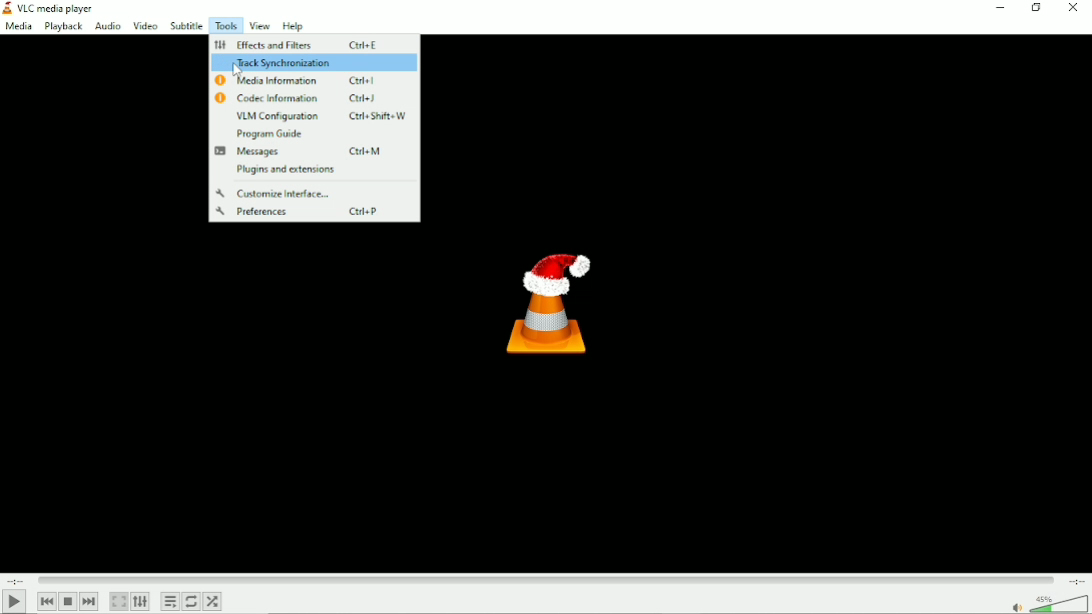 The width and height of the screenshot is (1092, 614). I want to click on Next, so click(89, 601).